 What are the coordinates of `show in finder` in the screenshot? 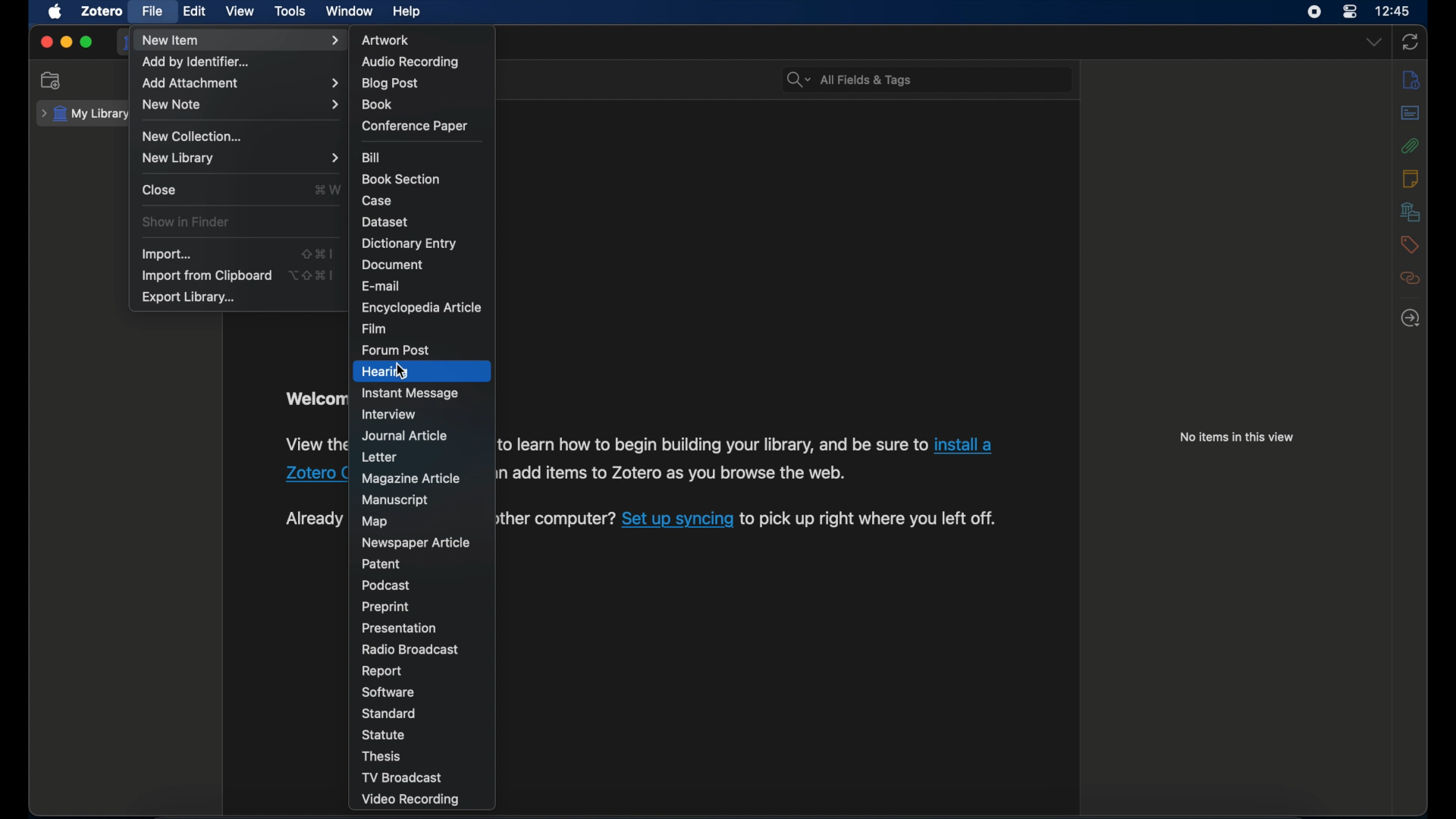 It's located at (187, 221).